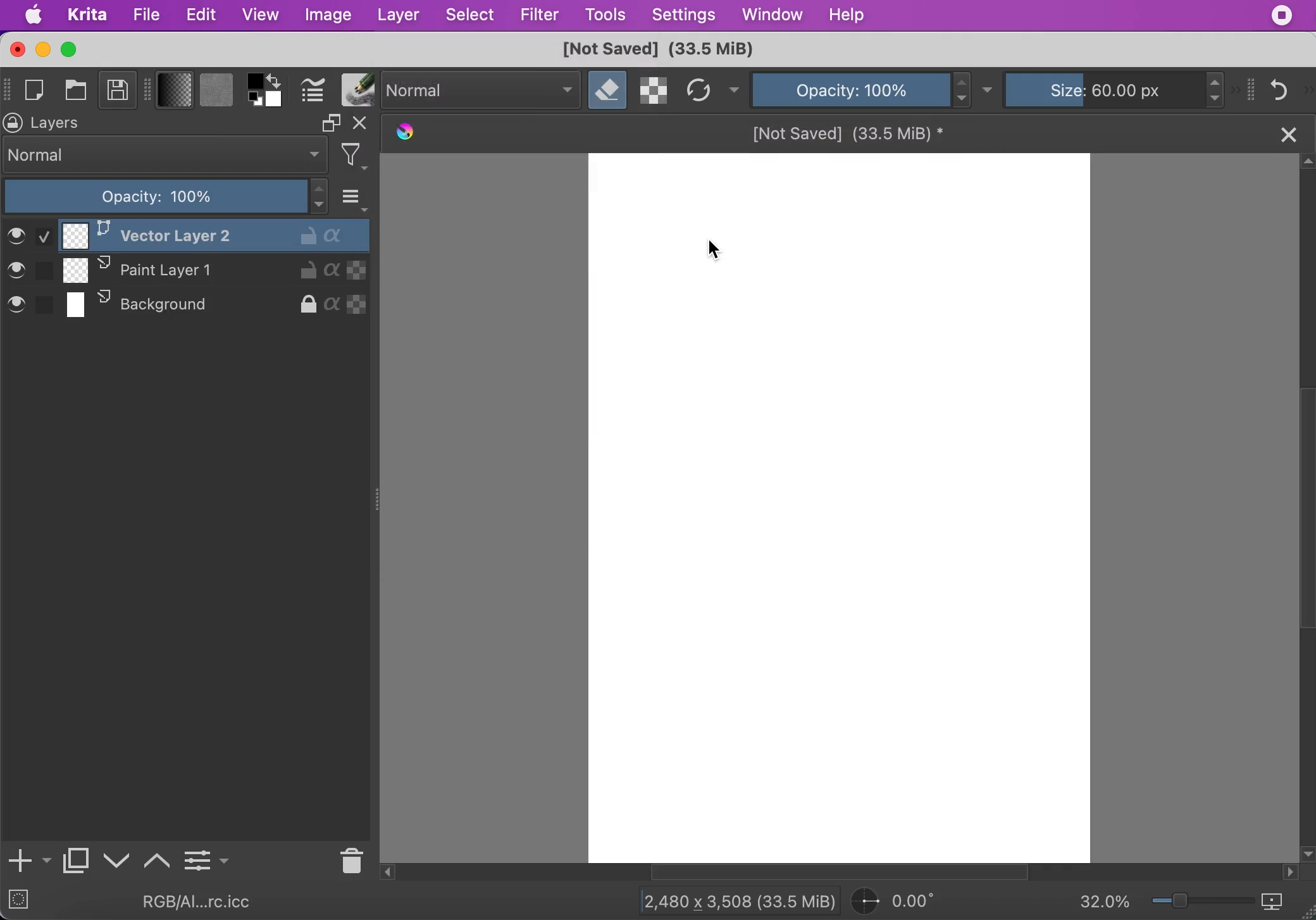  I want to click on rotation, so click(901, 902).